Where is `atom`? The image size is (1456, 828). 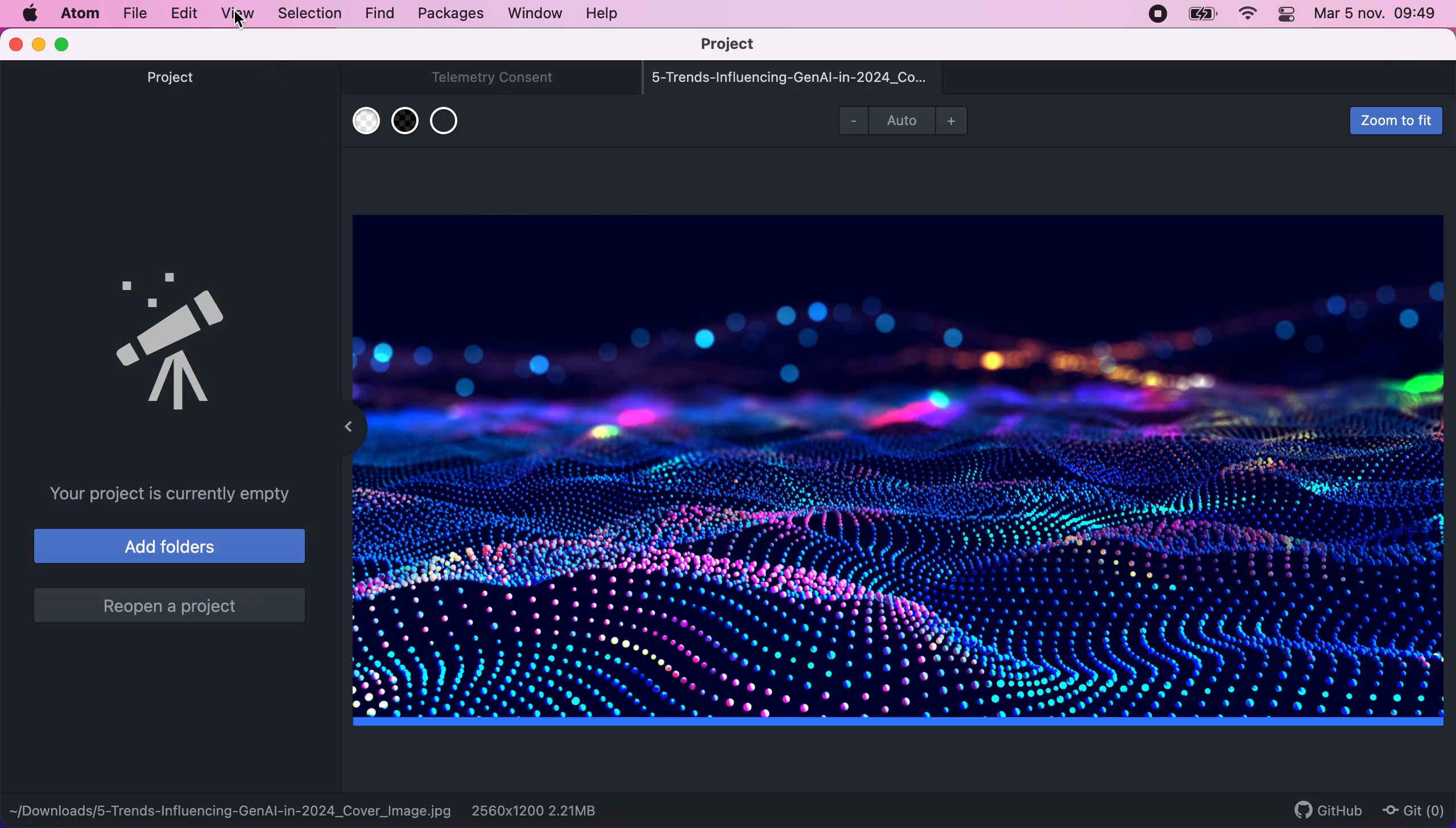
atom is located at coordinates (82, 16).